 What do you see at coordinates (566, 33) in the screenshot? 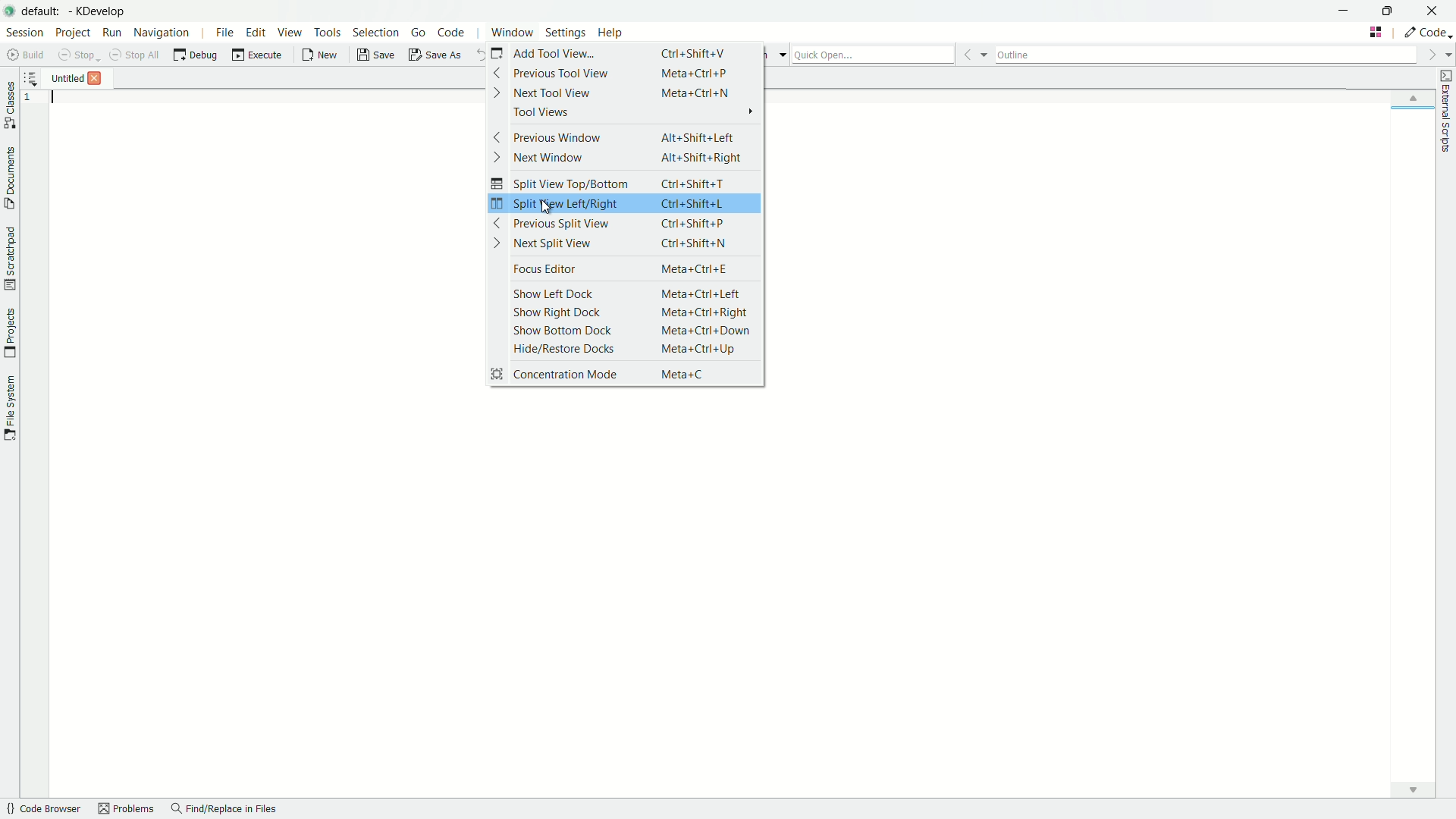
I see `settings menu` at bounding box center [566, 33].